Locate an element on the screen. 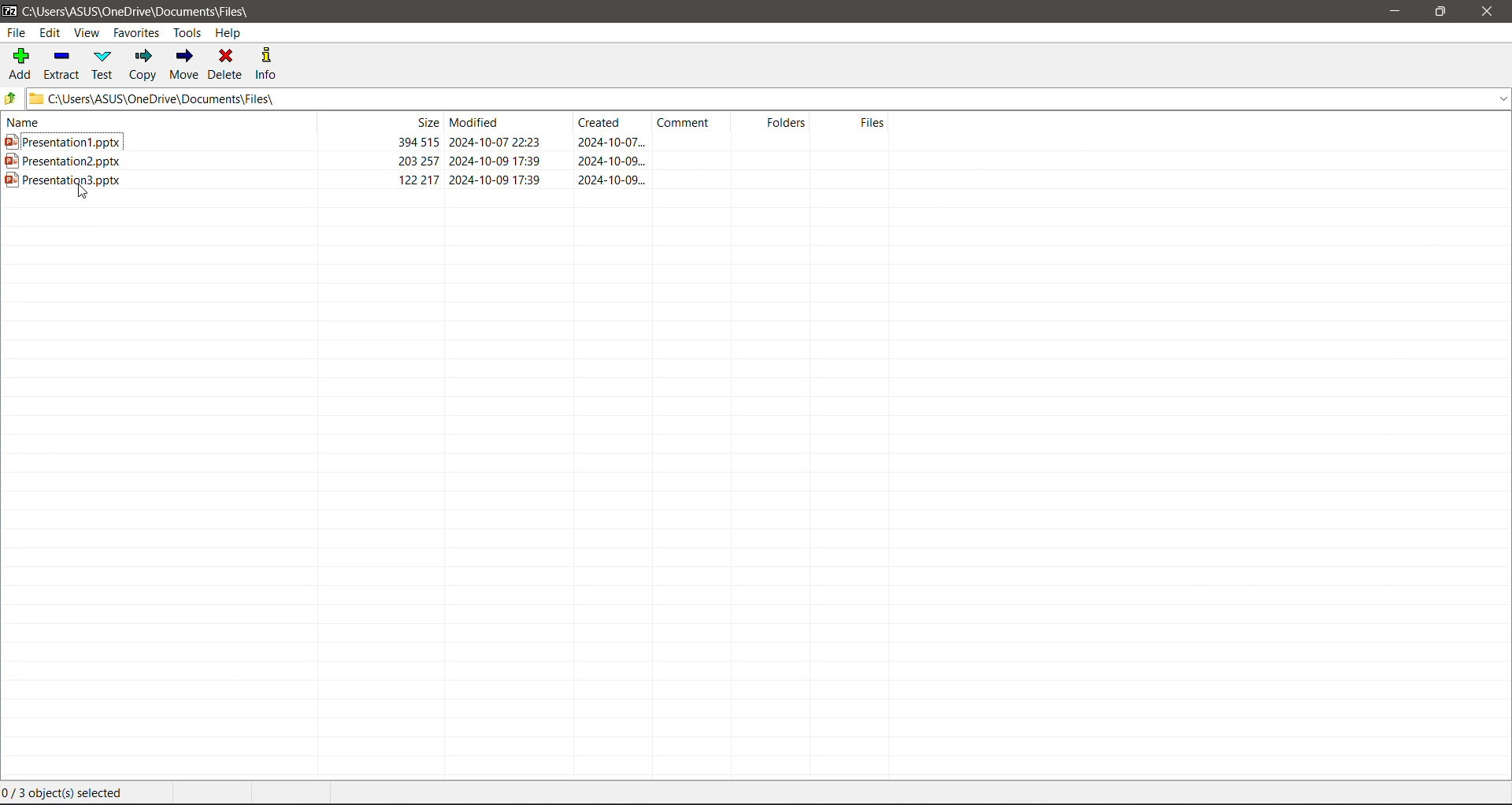 The image size is (1512, 805). Folders is located at coordinates (777, 122).